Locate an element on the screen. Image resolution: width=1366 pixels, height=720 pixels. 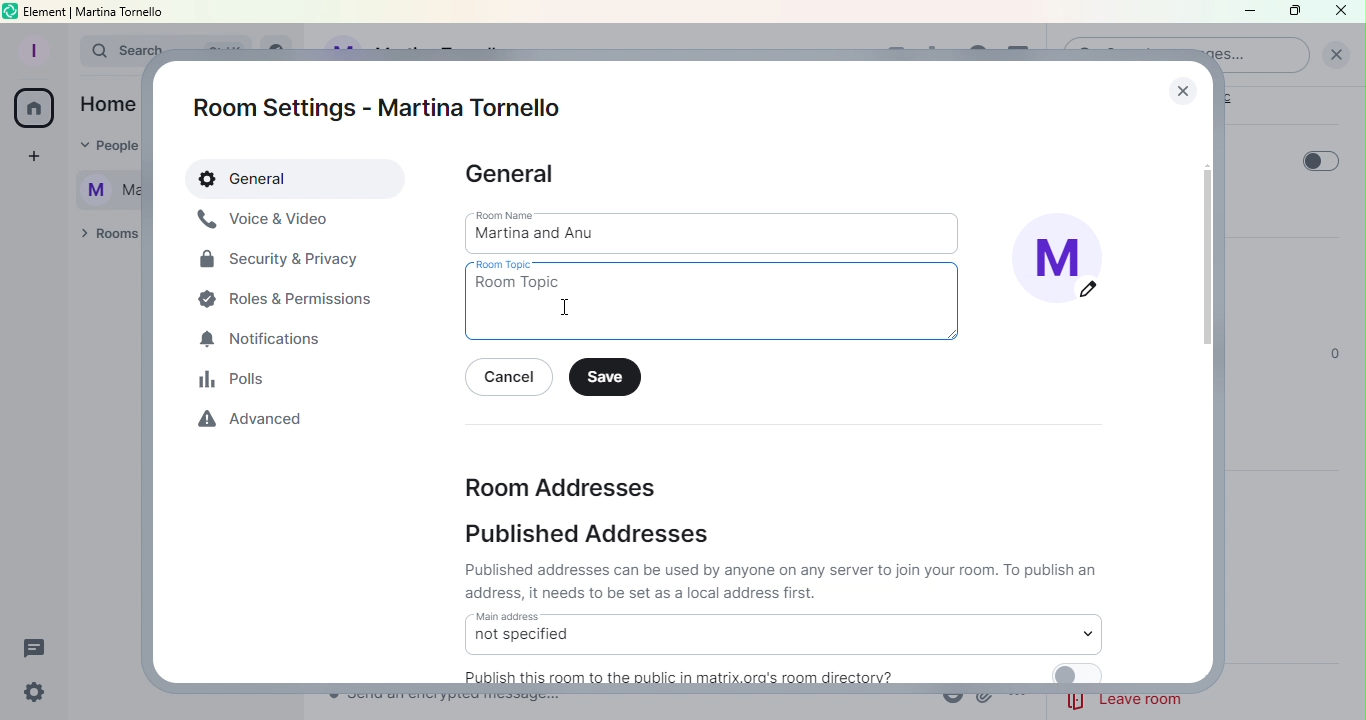
Display image is located at coordinates (1067, 264).